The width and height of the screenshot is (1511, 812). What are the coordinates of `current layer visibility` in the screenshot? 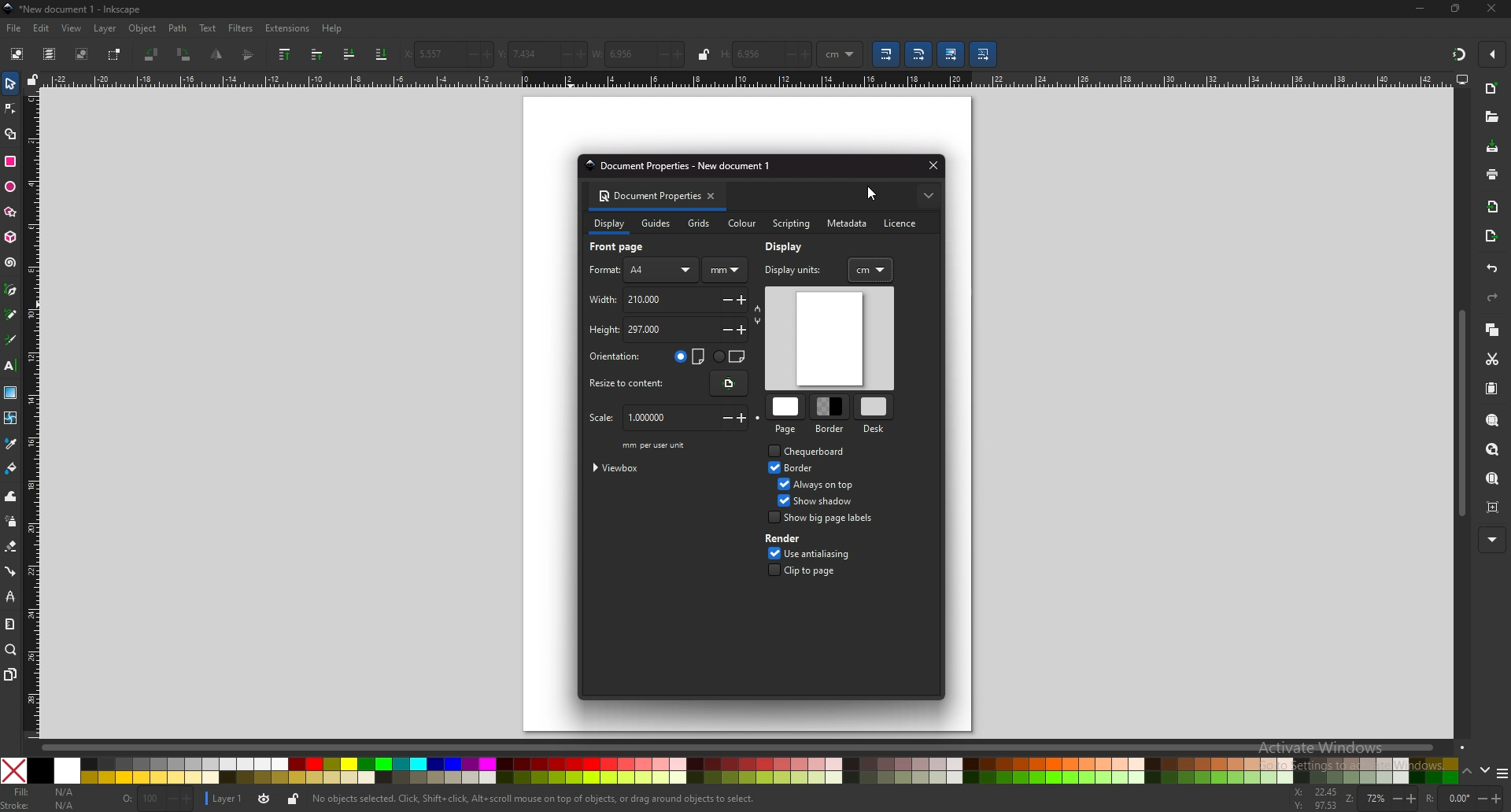 It's located at (264, 801).